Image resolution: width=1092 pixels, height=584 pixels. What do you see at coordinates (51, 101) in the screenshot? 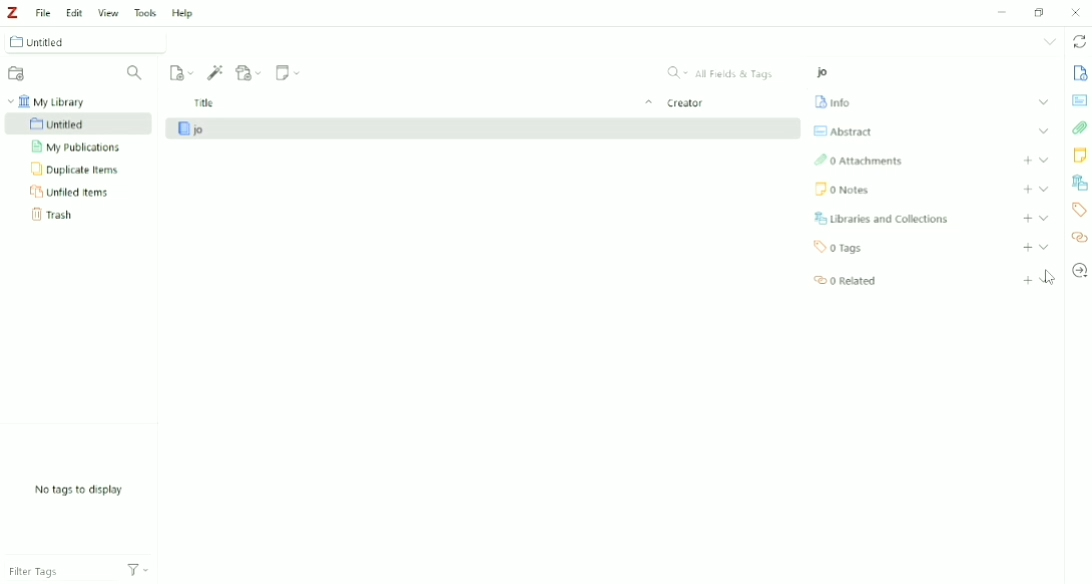
I see `My Library` at bounding box center [51, 101].